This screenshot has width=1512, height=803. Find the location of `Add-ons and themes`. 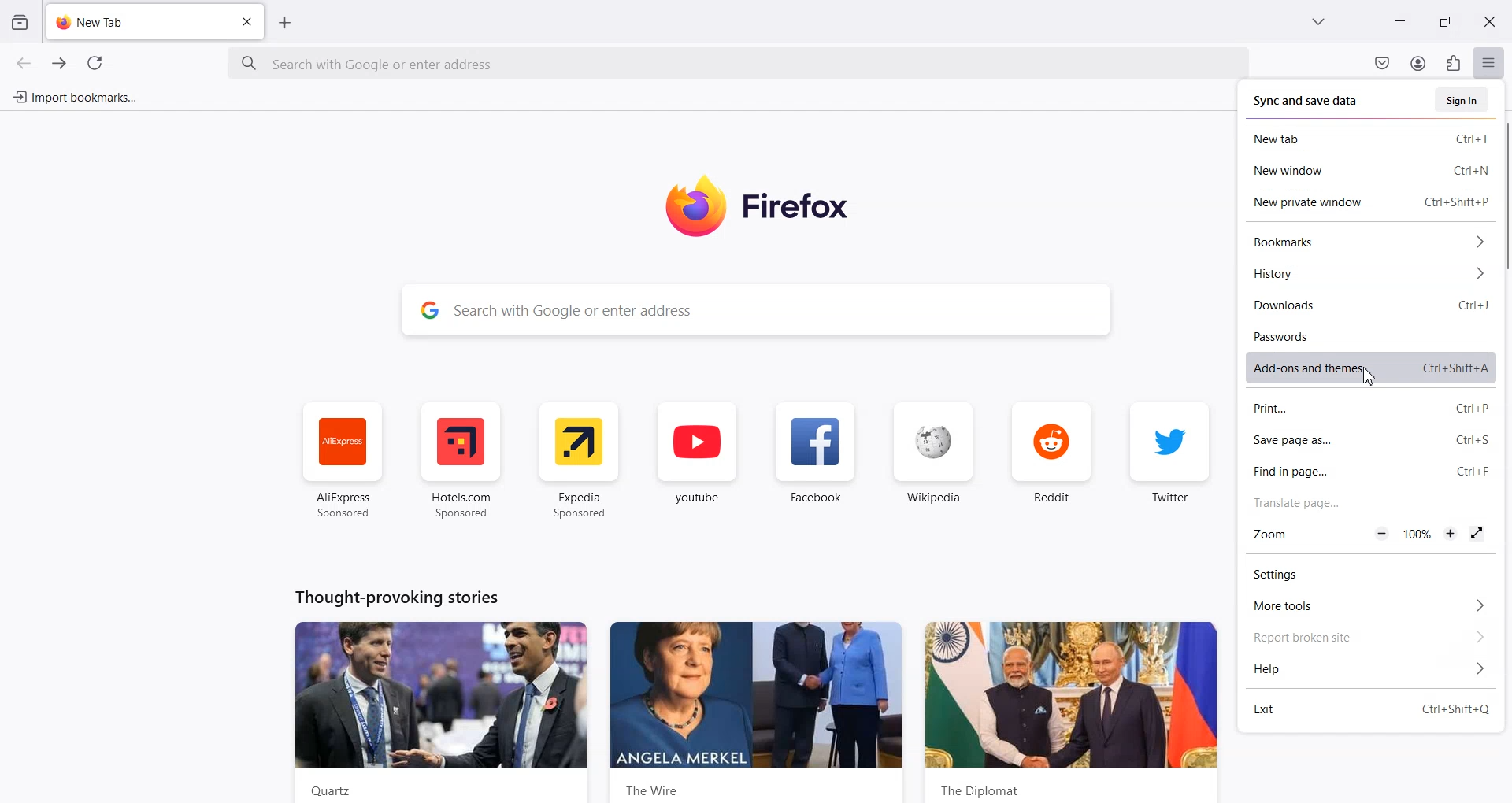

Add-ons and themes is located at coordinates (1366, 365).